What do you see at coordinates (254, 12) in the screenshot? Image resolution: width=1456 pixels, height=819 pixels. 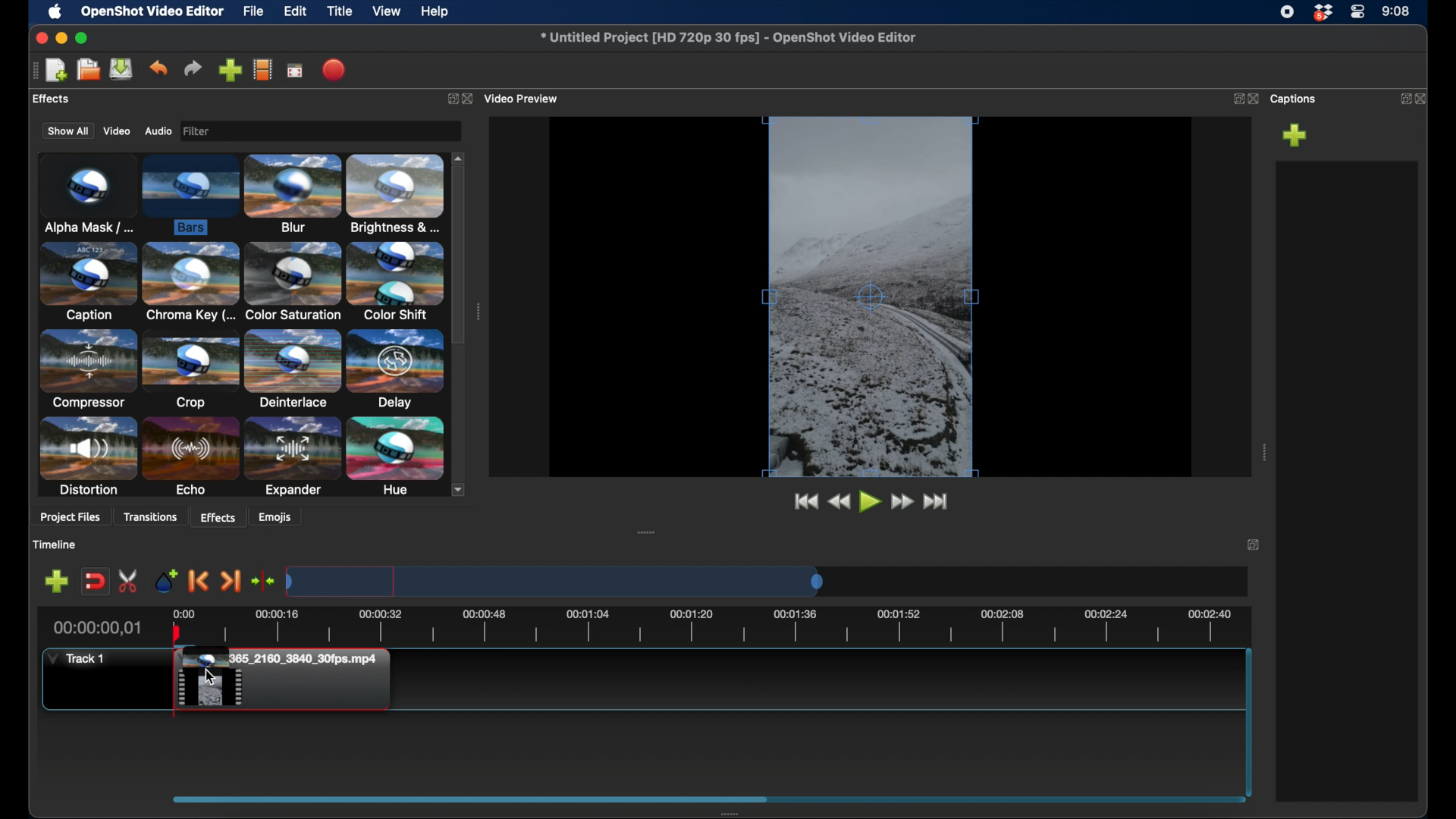 I see `file` at bounding box center [254, 12].